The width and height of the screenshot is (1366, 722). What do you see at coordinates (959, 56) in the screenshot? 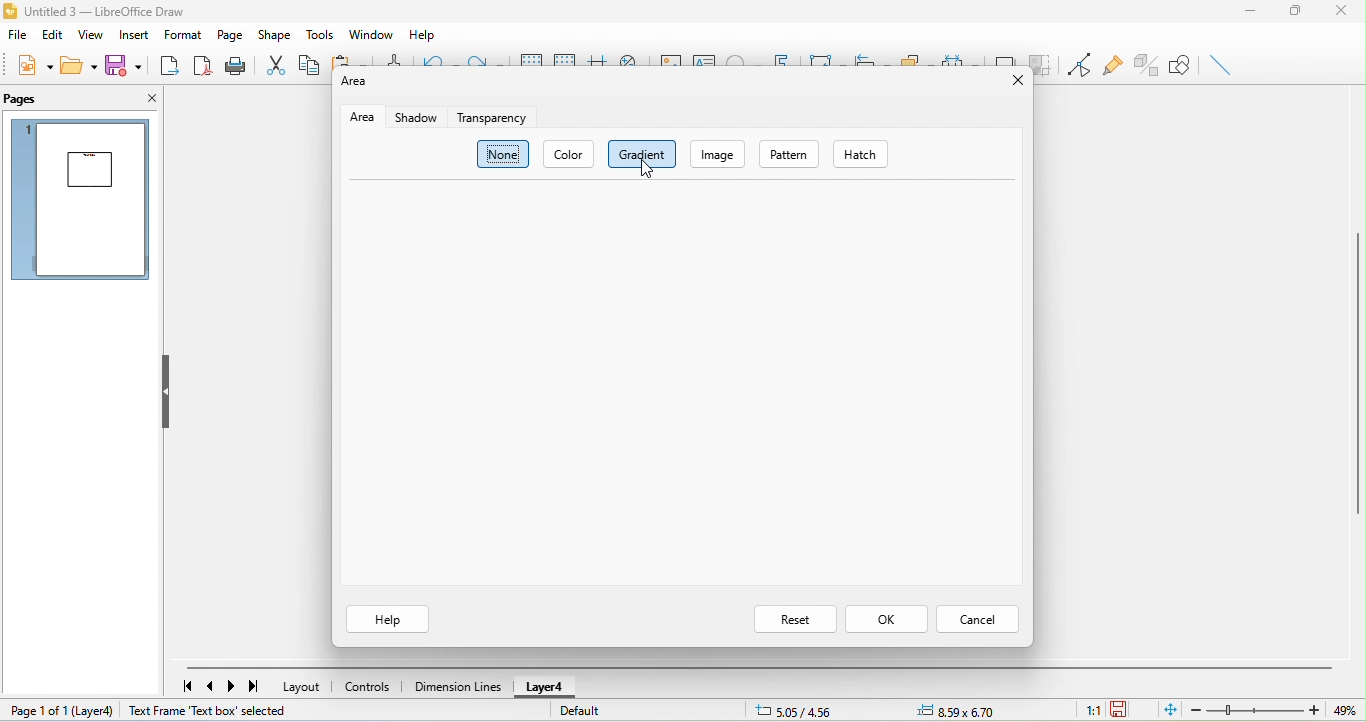
I see `select at least three object` at bounding box center [959, 56].